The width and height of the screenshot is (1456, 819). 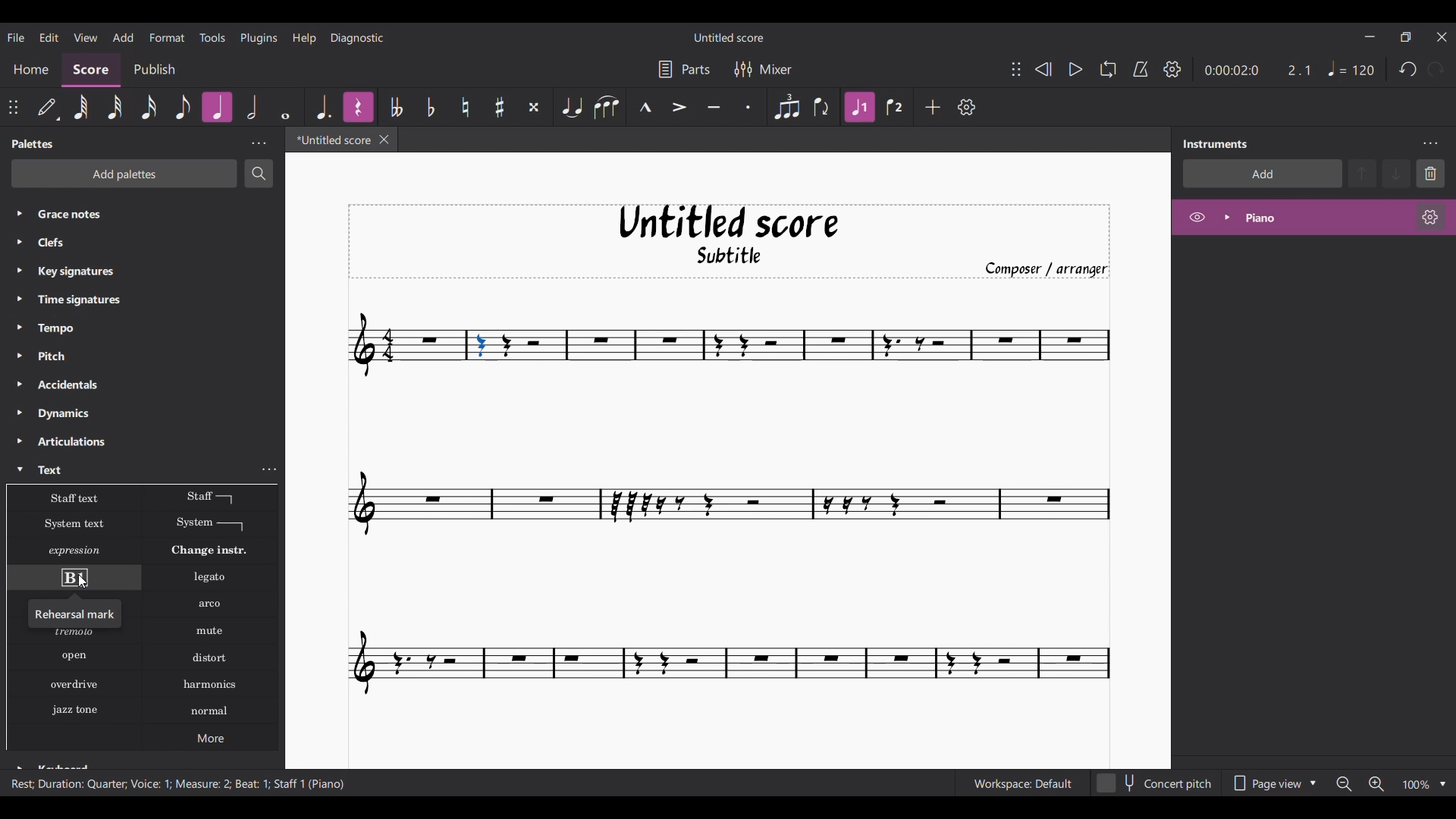 I want to click on Staccato, so click(x=747, y=108).